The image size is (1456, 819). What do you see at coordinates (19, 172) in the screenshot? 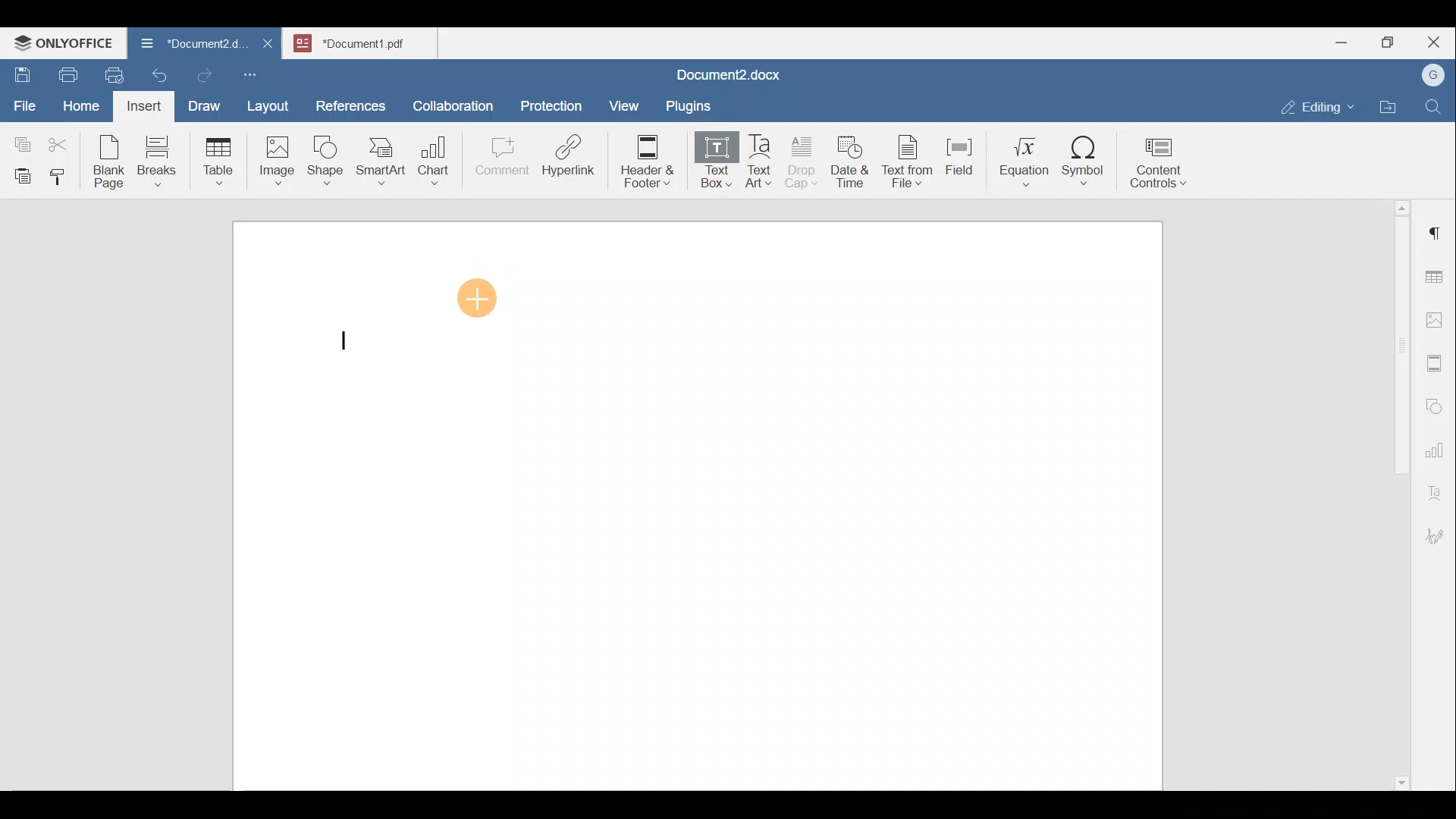
I see `Paste` at bounding box center [19, 172].